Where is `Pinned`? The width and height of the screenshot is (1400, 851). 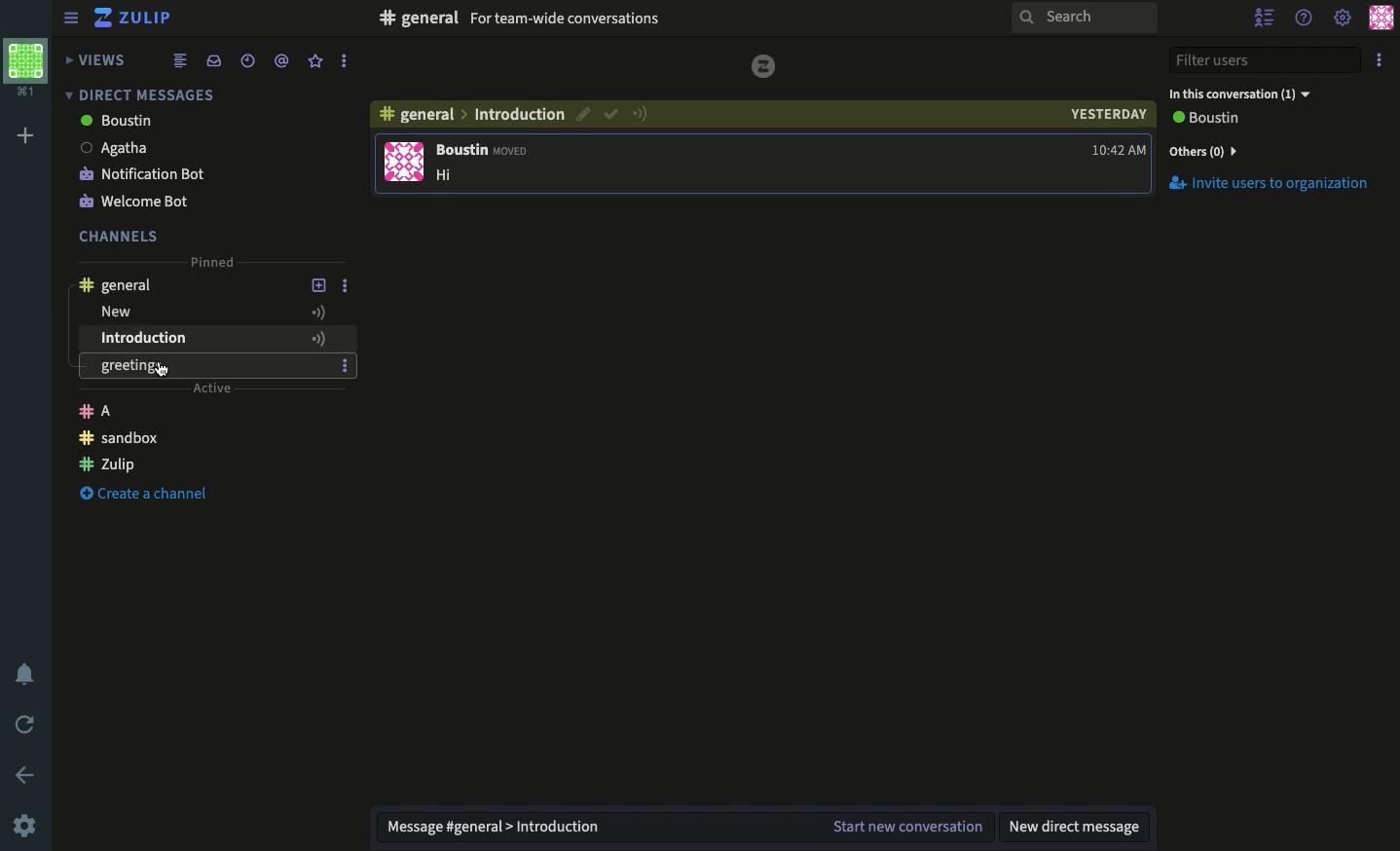
Pinned is located at coordinates (210, 261).